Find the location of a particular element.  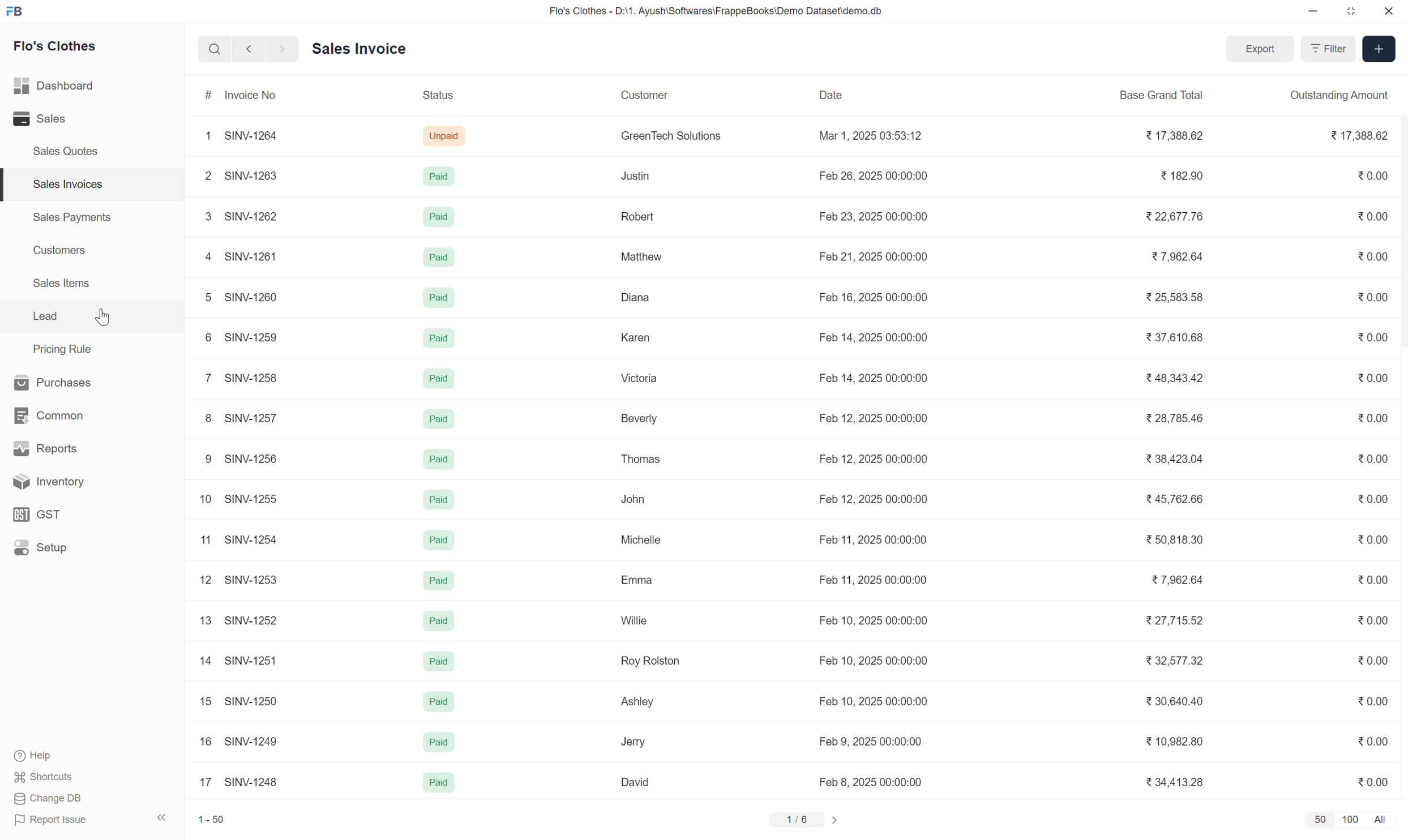

Jerry is located at coordinates (632, 742).